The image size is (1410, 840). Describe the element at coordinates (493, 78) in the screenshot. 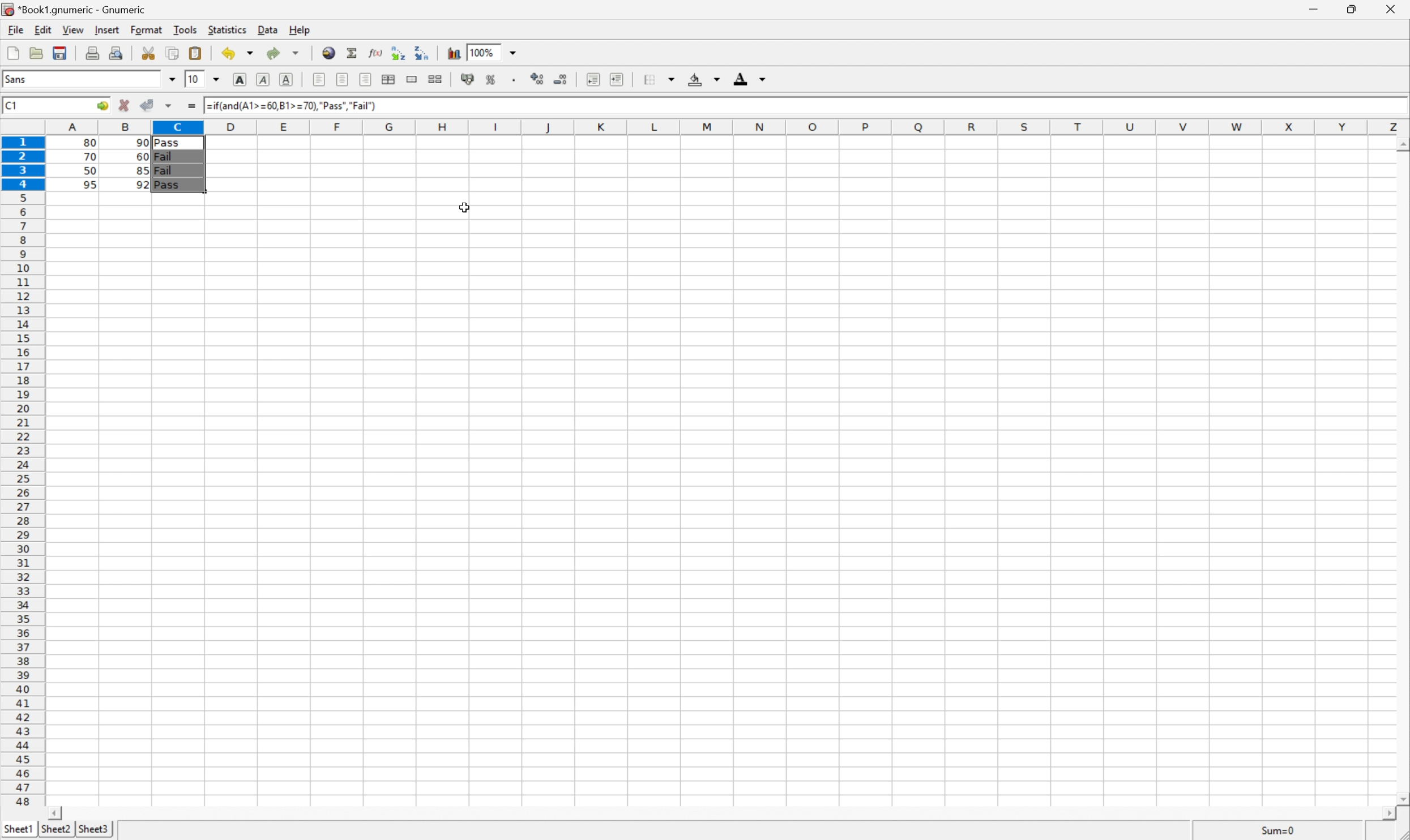

I see `Format the selection as percentage` at that location.